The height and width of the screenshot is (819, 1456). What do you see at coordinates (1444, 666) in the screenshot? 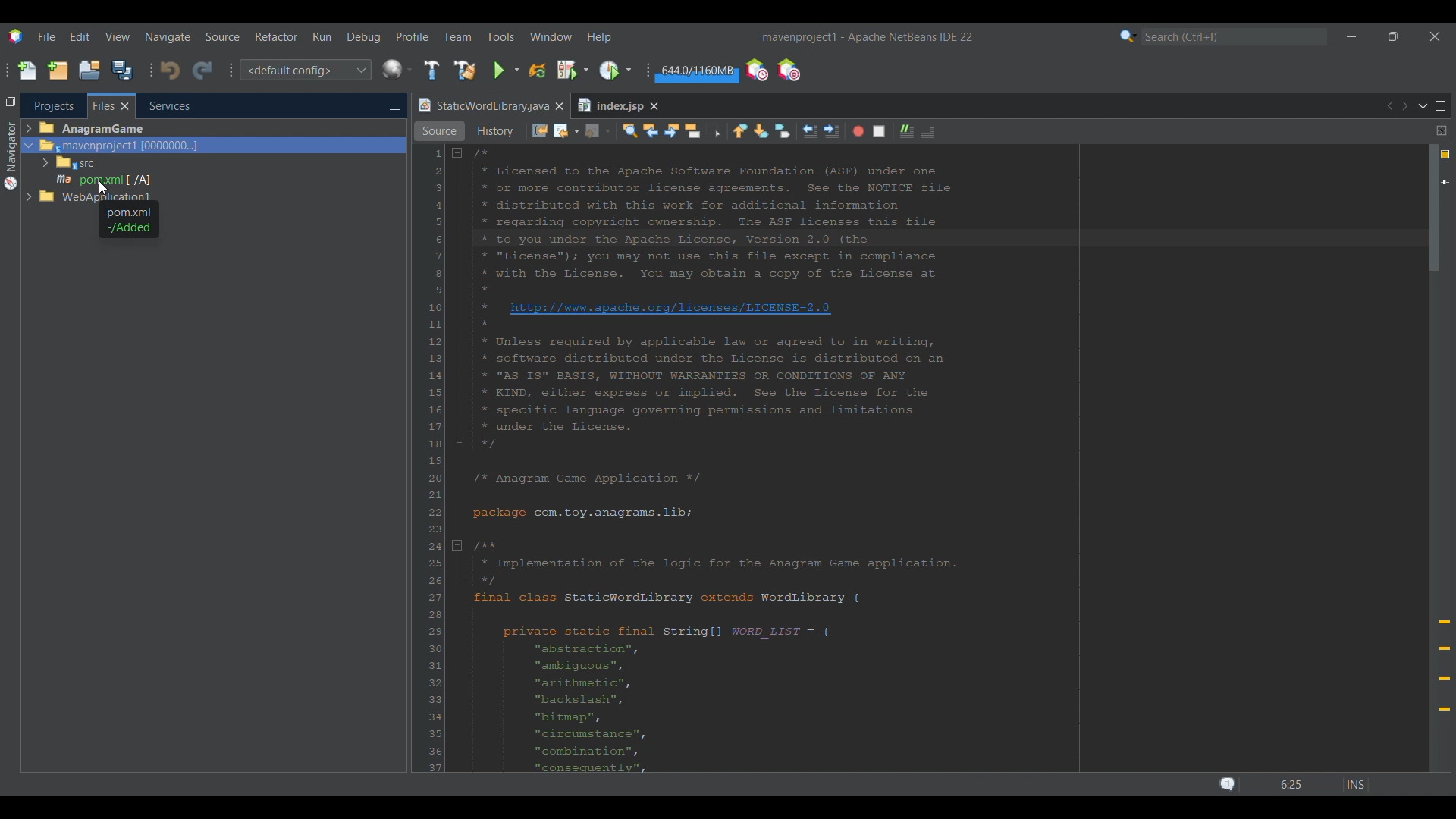
I see `Markers` at bounding box center [1444, 666].